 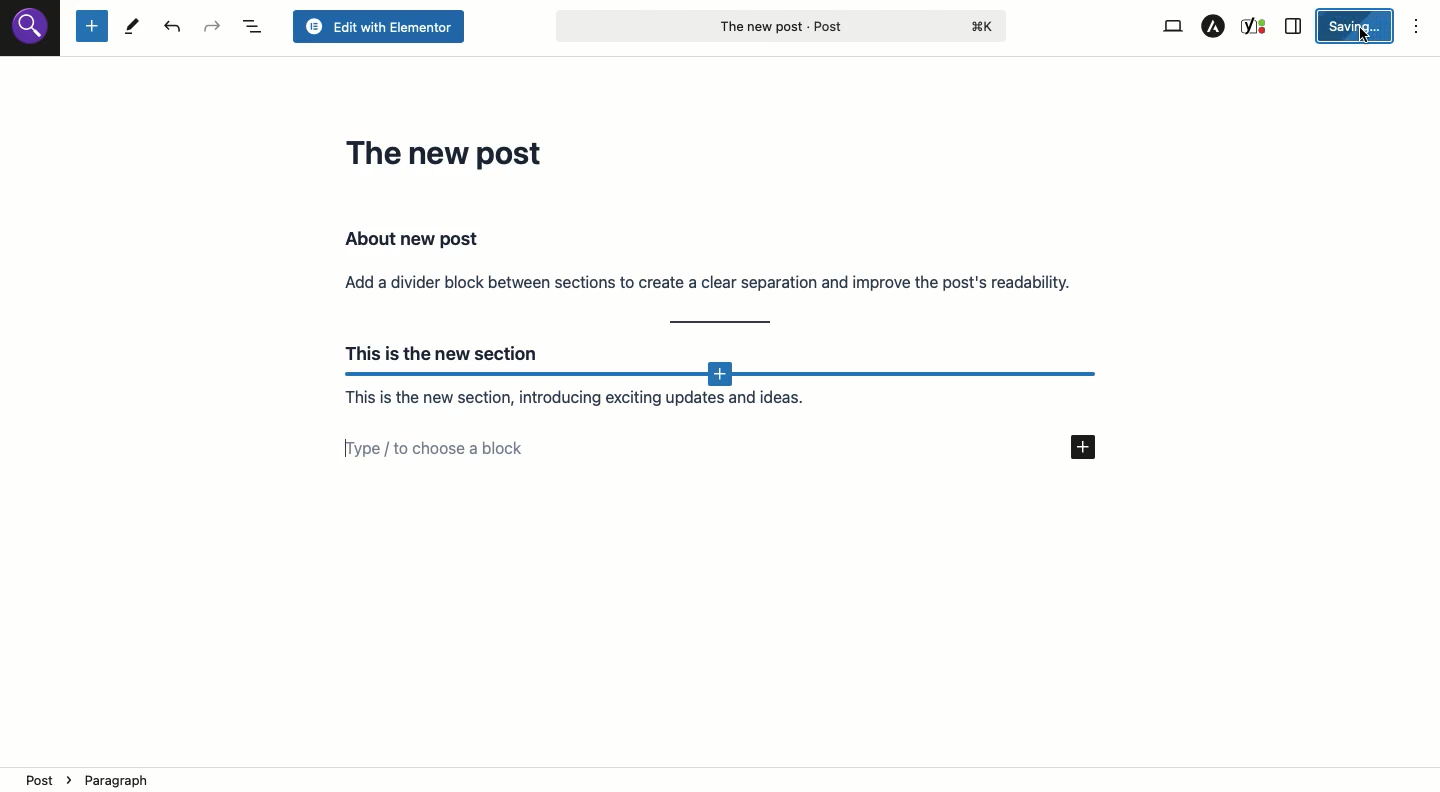 I want to click on Document overview, so click(x=255, y=27).